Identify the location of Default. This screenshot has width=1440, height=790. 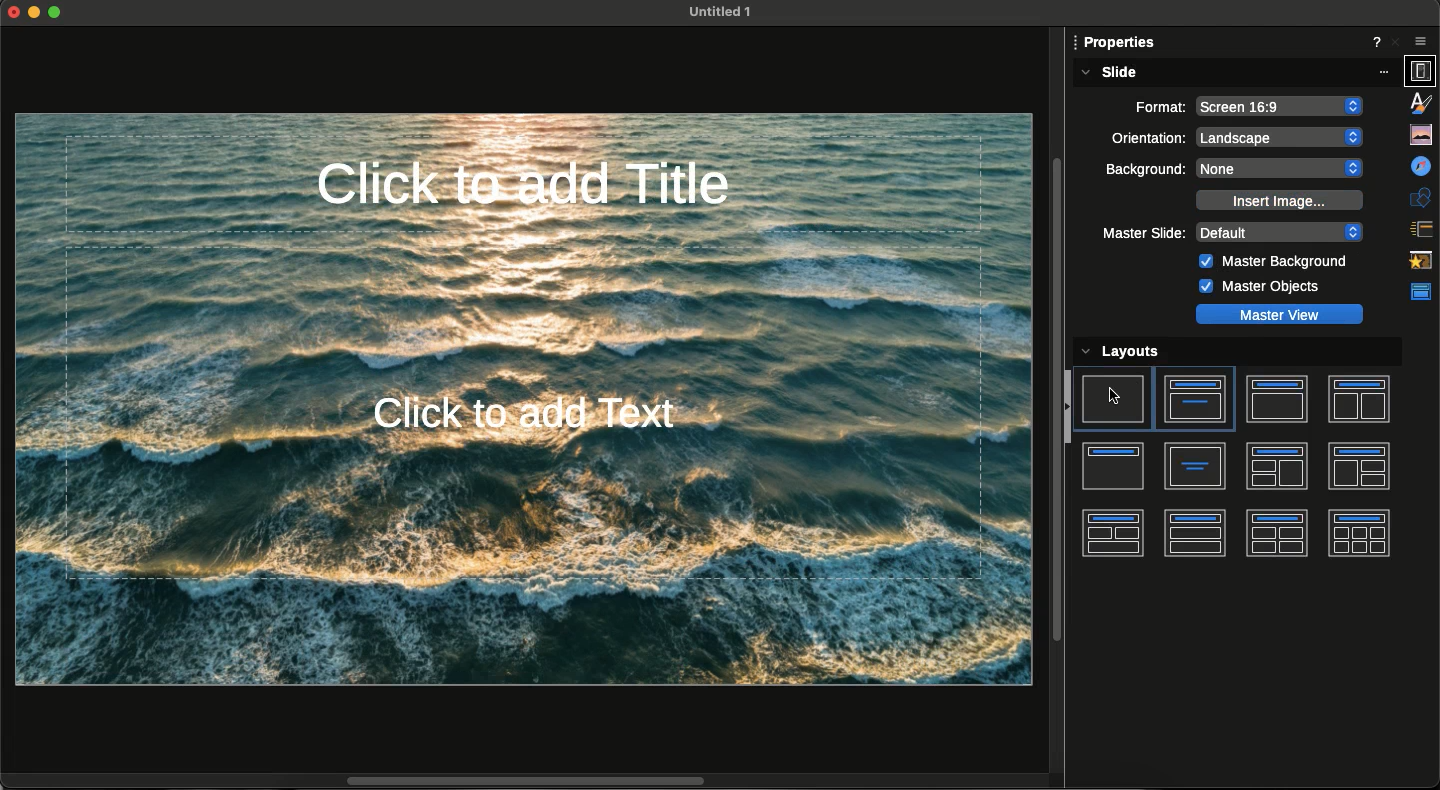
(1280, 232).